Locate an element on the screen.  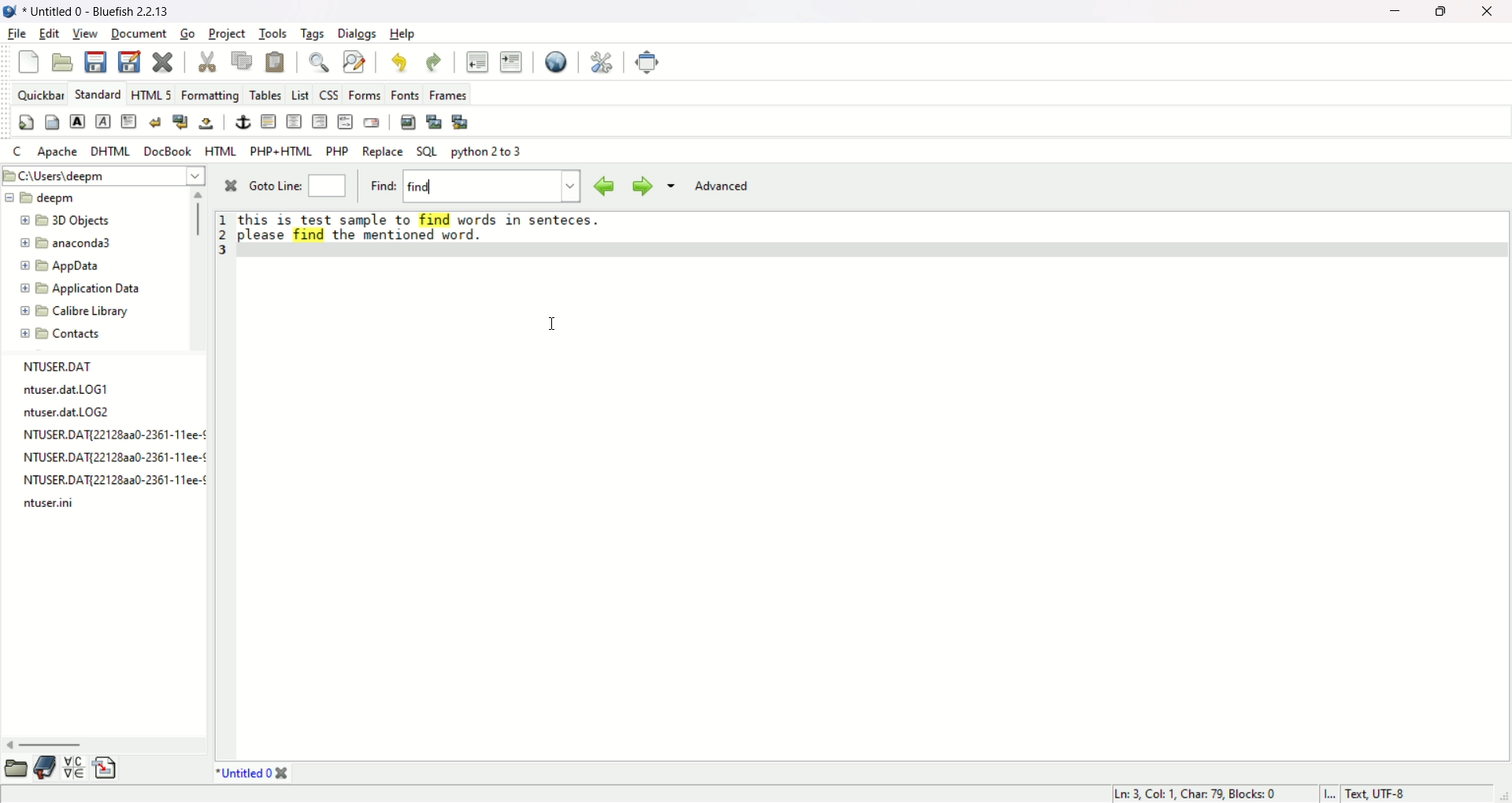
workspace is located at coordinates (875, 508).